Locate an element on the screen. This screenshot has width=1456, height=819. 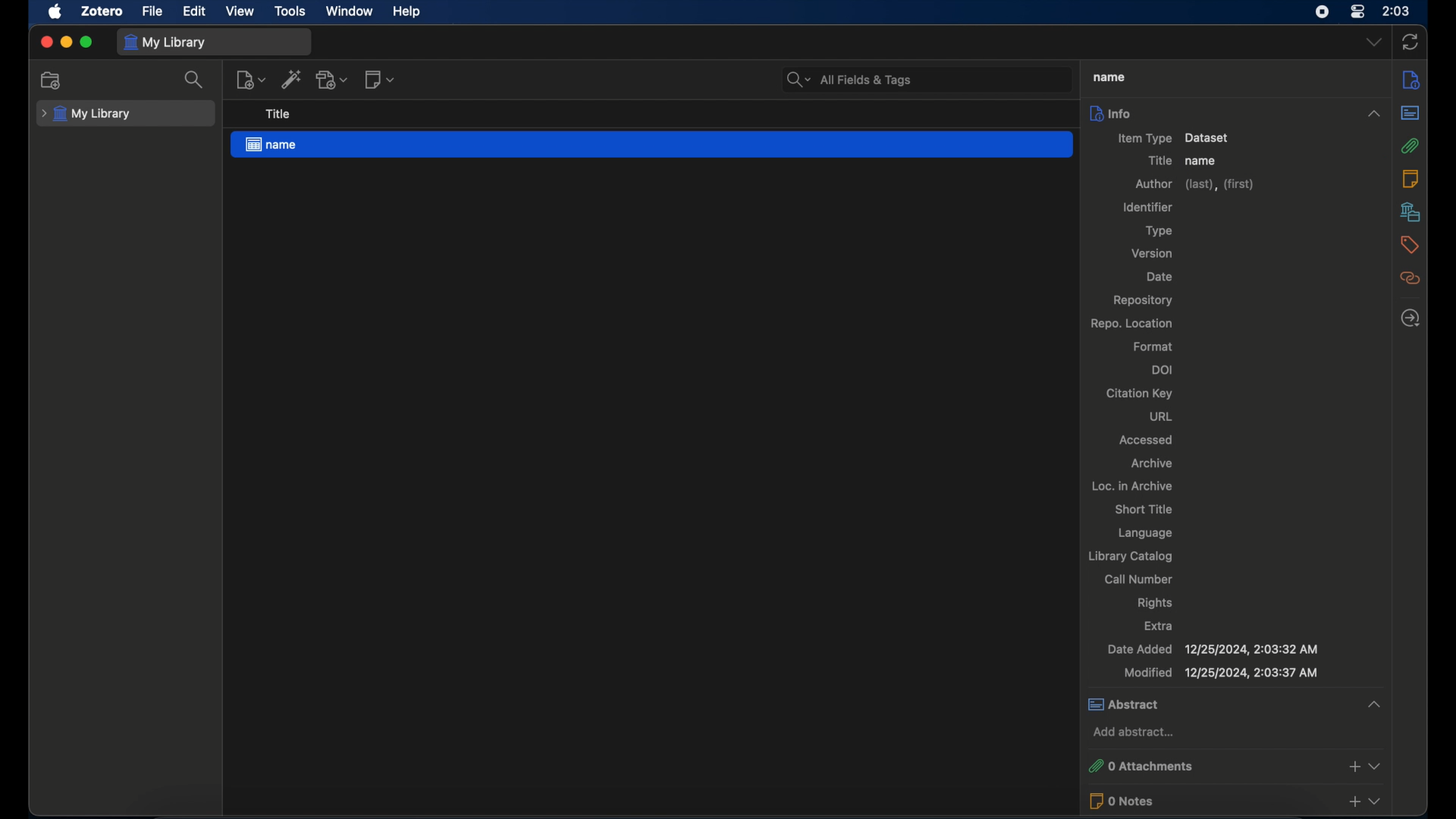
archive is located at coordinates (1152, 463).